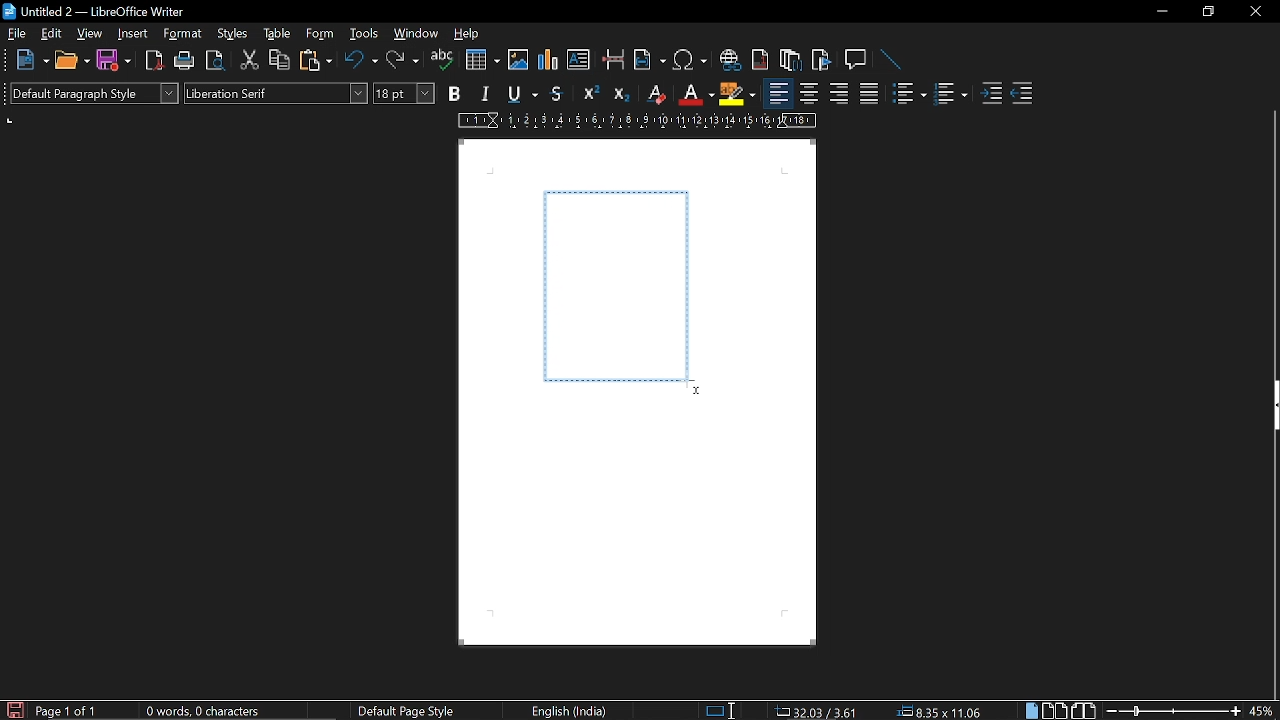 The width and height of the screenshot is (1280, 720). Describe the element at coordinates (690, 63) in the screenshot. I see `insert symbol` at that location.